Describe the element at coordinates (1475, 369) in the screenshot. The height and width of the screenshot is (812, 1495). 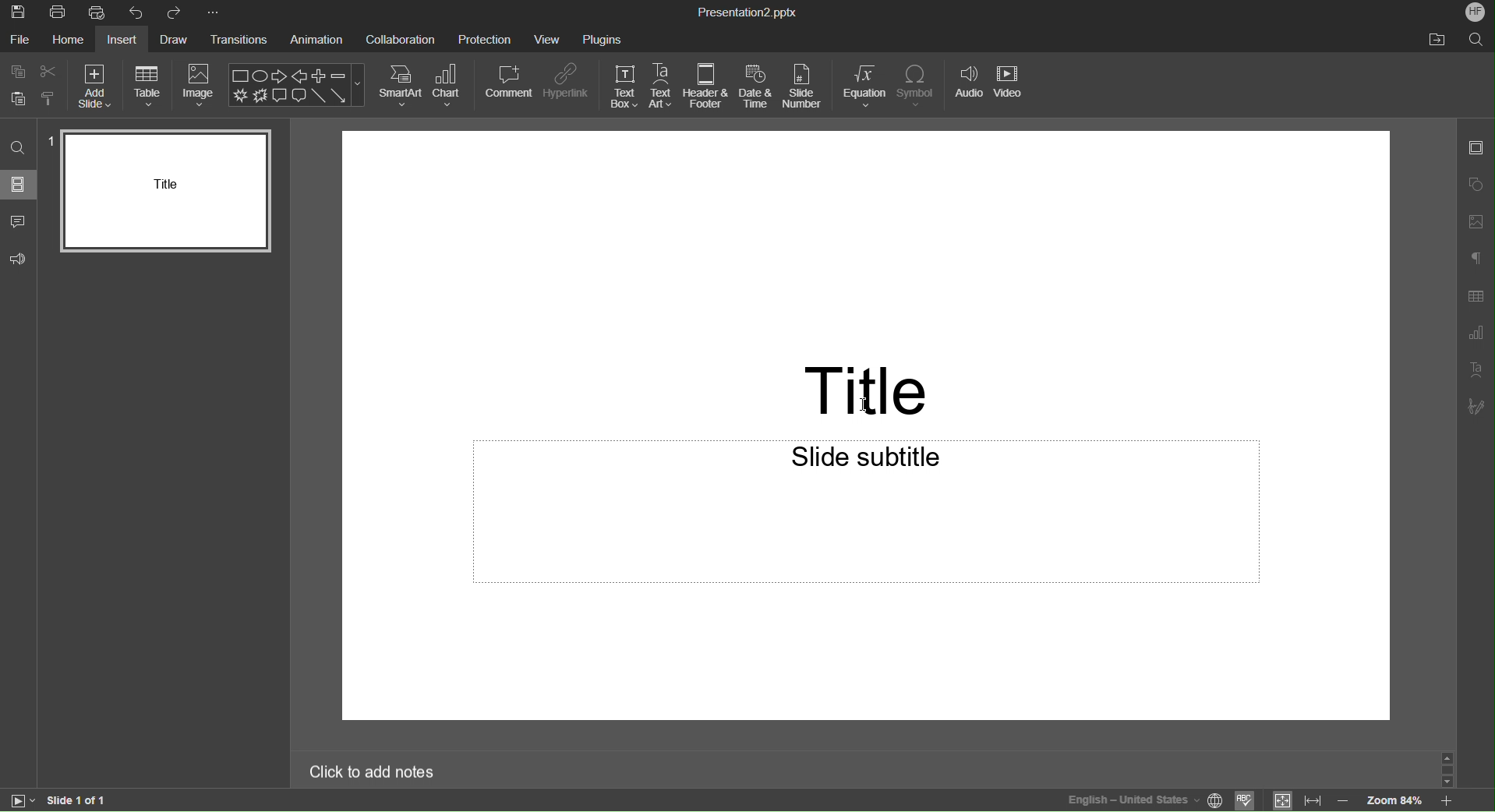
I see `Text Art` at that location.